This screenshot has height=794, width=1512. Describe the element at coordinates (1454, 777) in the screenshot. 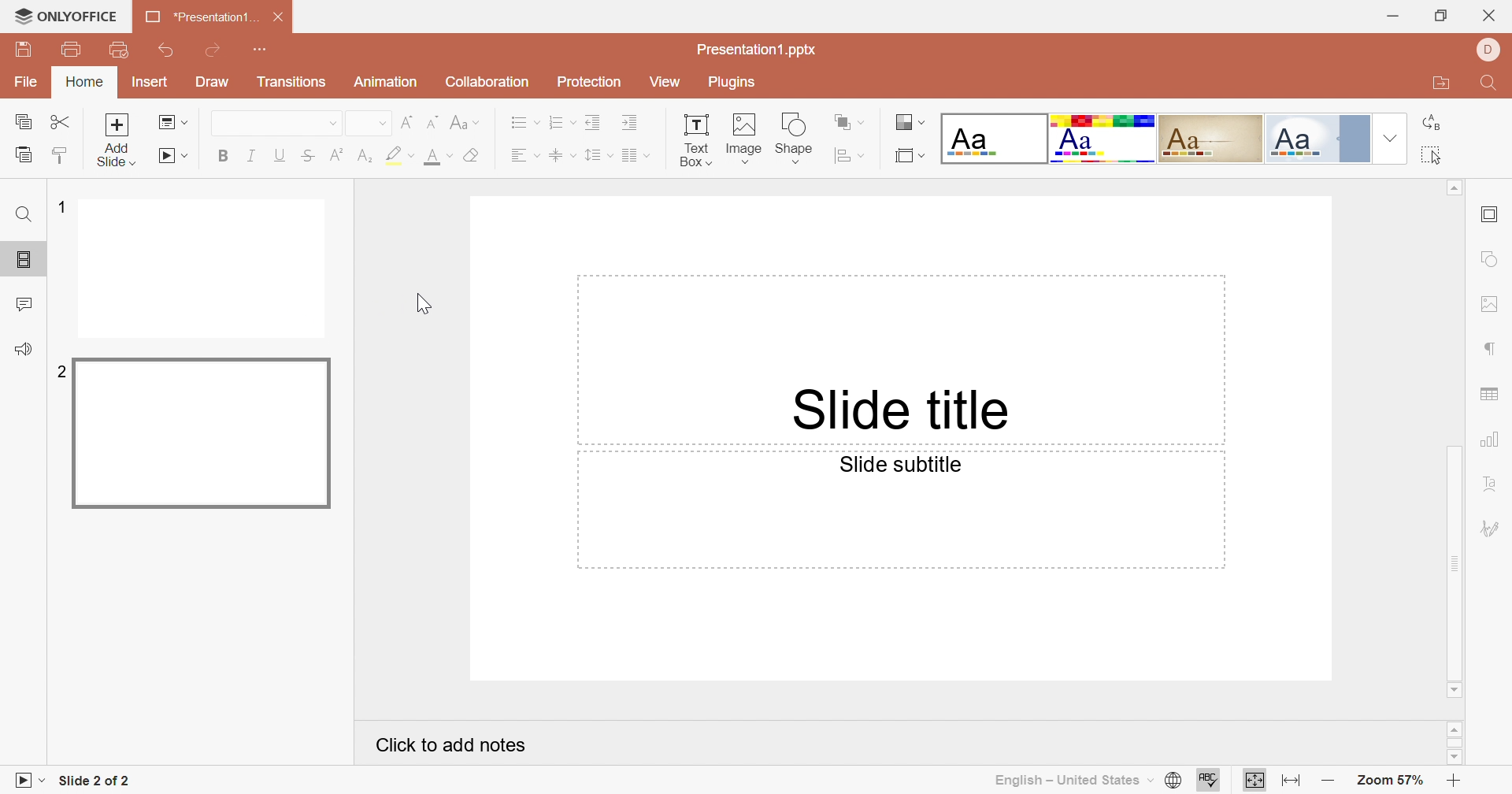

I see `Zoom in` at that location.